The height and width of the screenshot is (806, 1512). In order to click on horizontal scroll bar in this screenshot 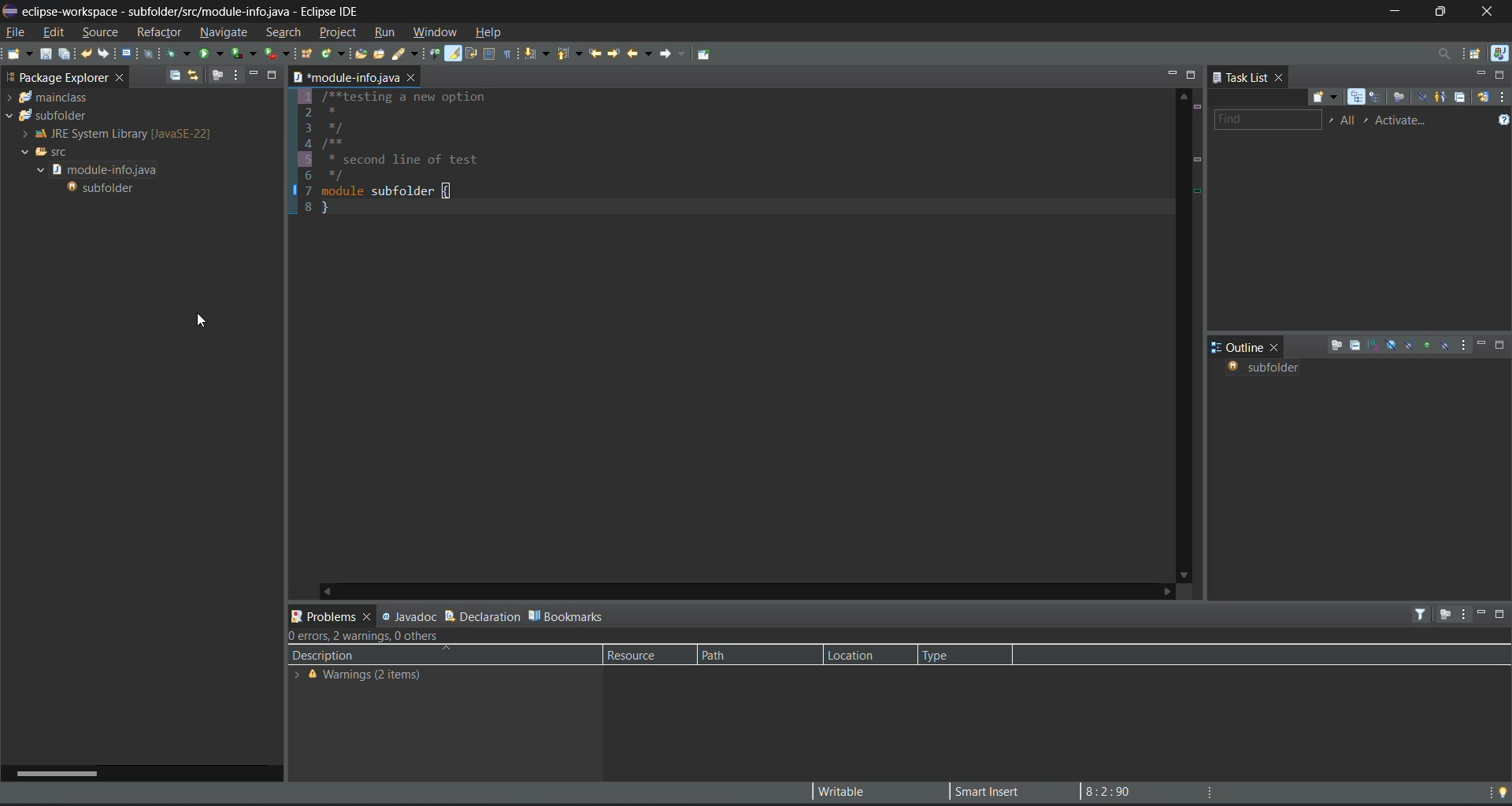, I will do `click(53, 773)`.